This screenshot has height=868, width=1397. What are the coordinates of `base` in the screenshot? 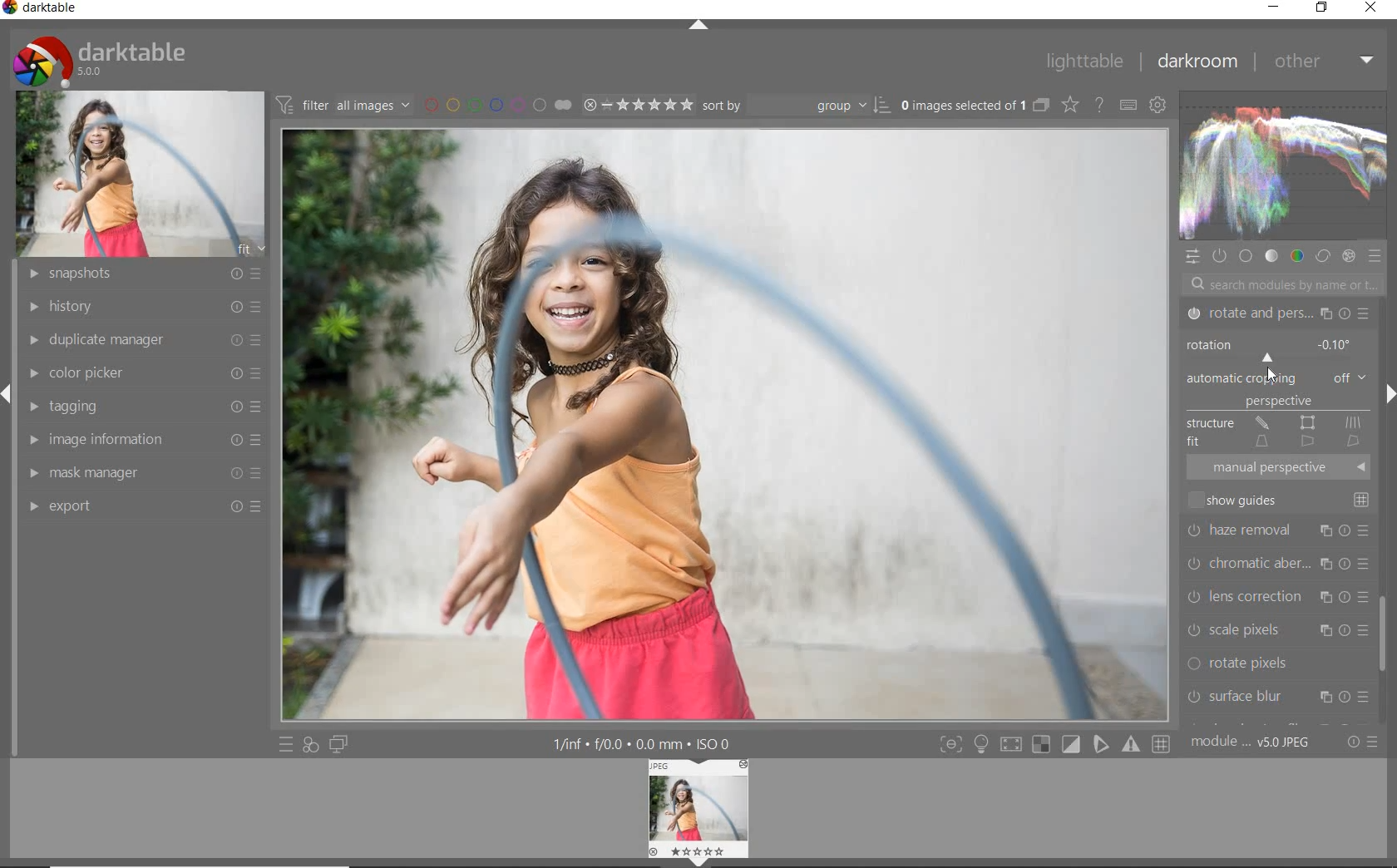 It's located at (1246, 257).